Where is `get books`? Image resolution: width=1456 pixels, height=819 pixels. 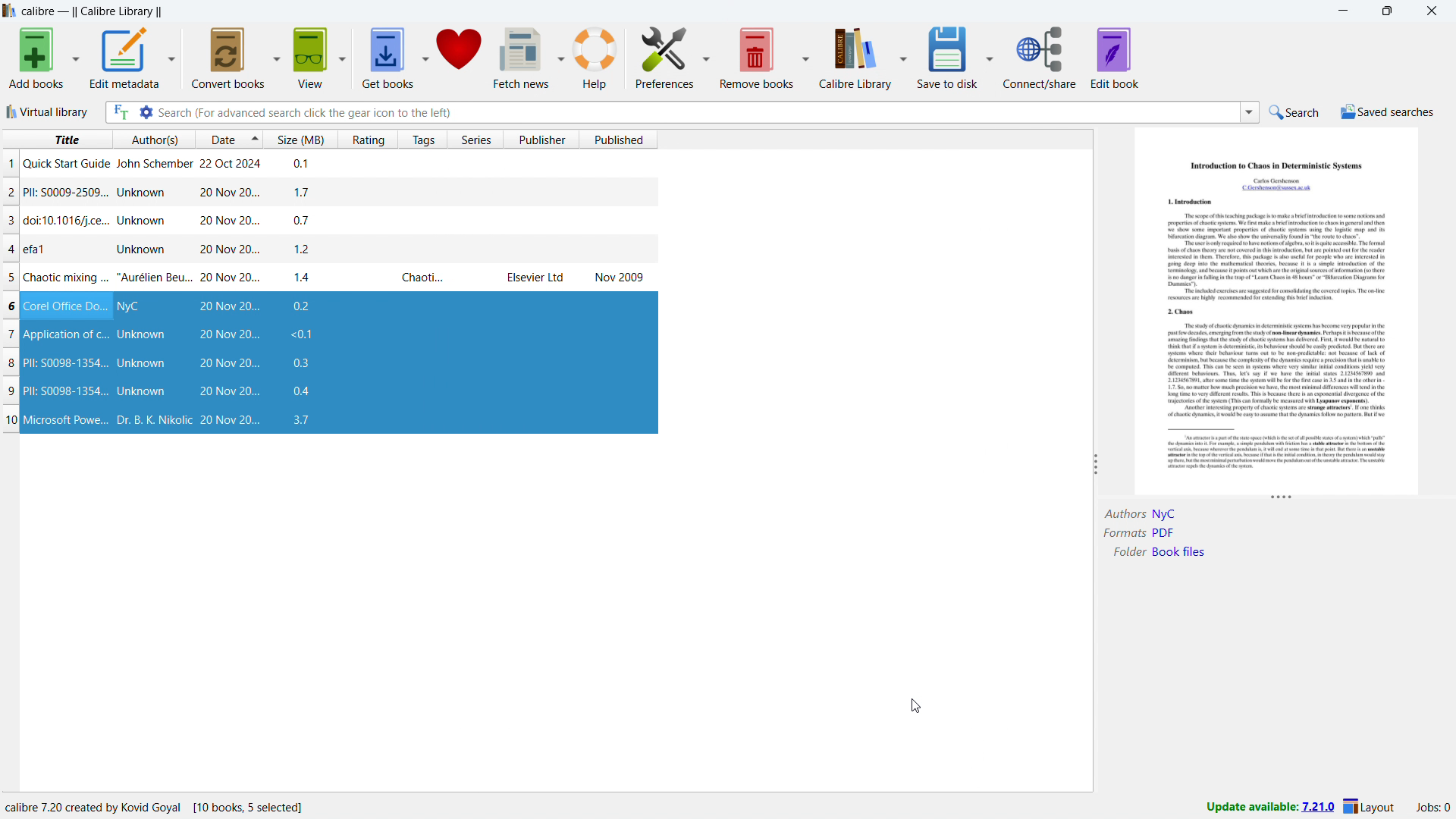 get books is located at coordinates (388, 58).